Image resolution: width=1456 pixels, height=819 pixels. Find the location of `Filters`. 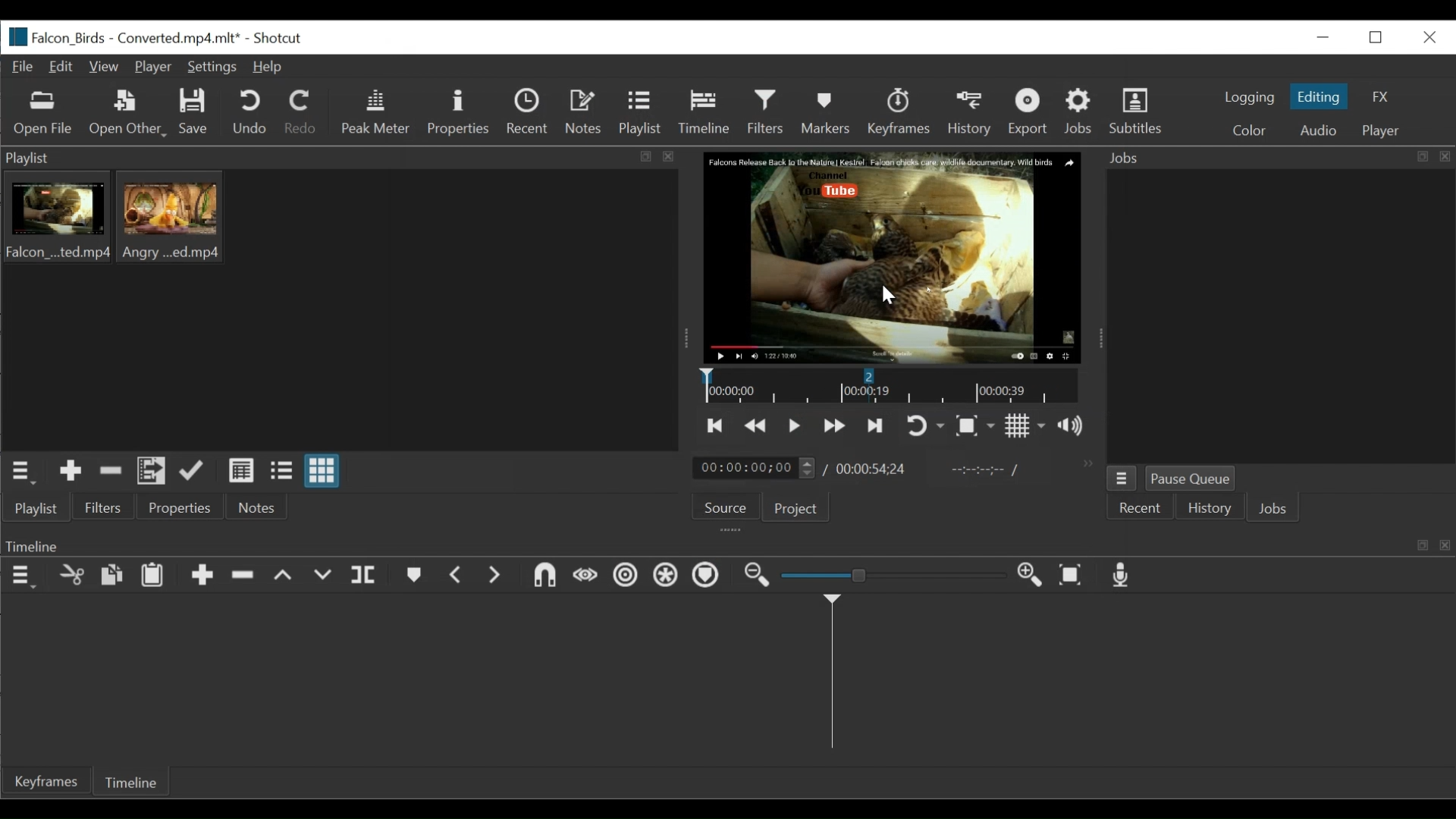

Filters is located at coordinates (102, 506).